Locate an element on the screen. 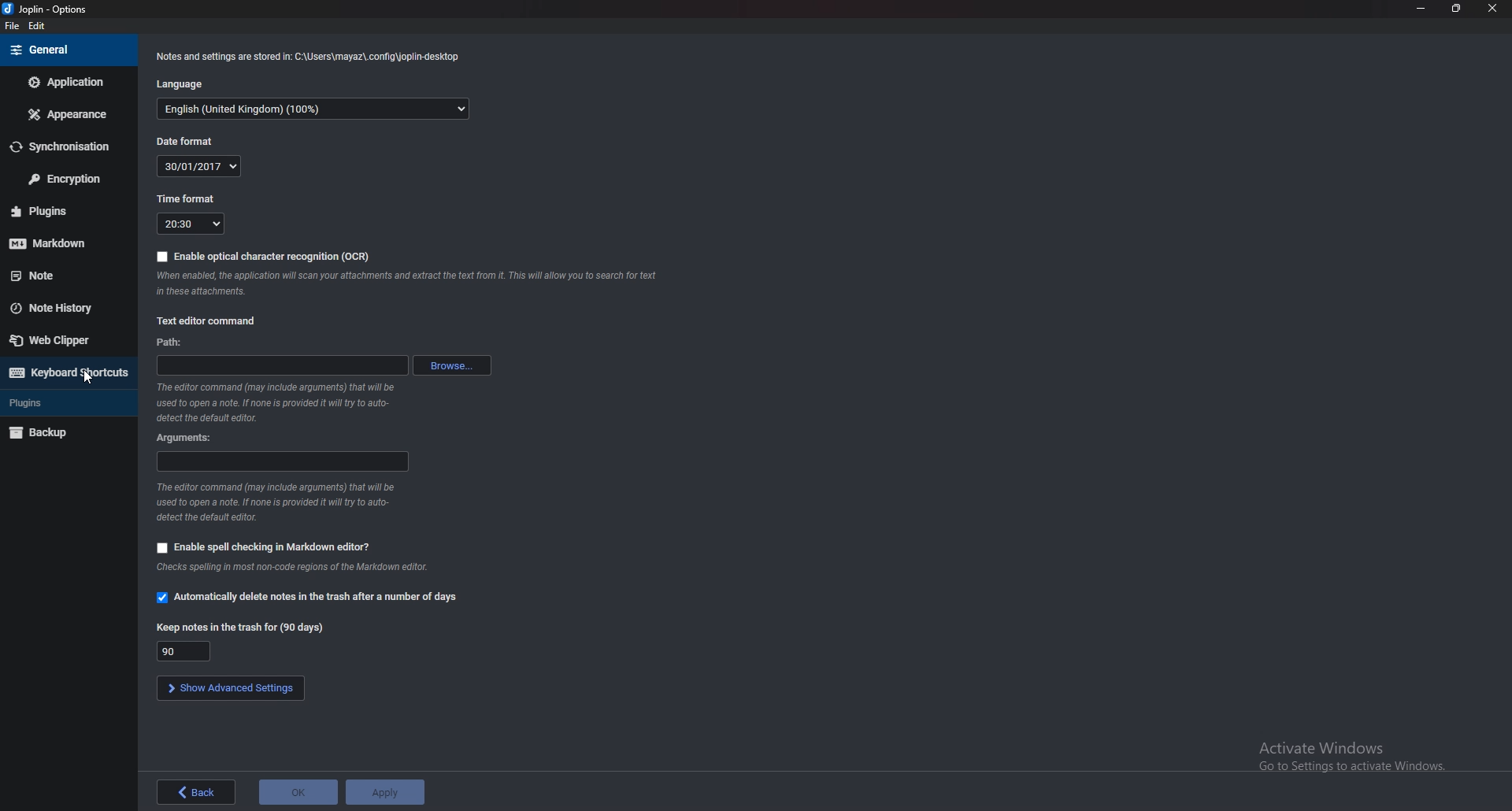  Date format is located at coordinates (186, 141).